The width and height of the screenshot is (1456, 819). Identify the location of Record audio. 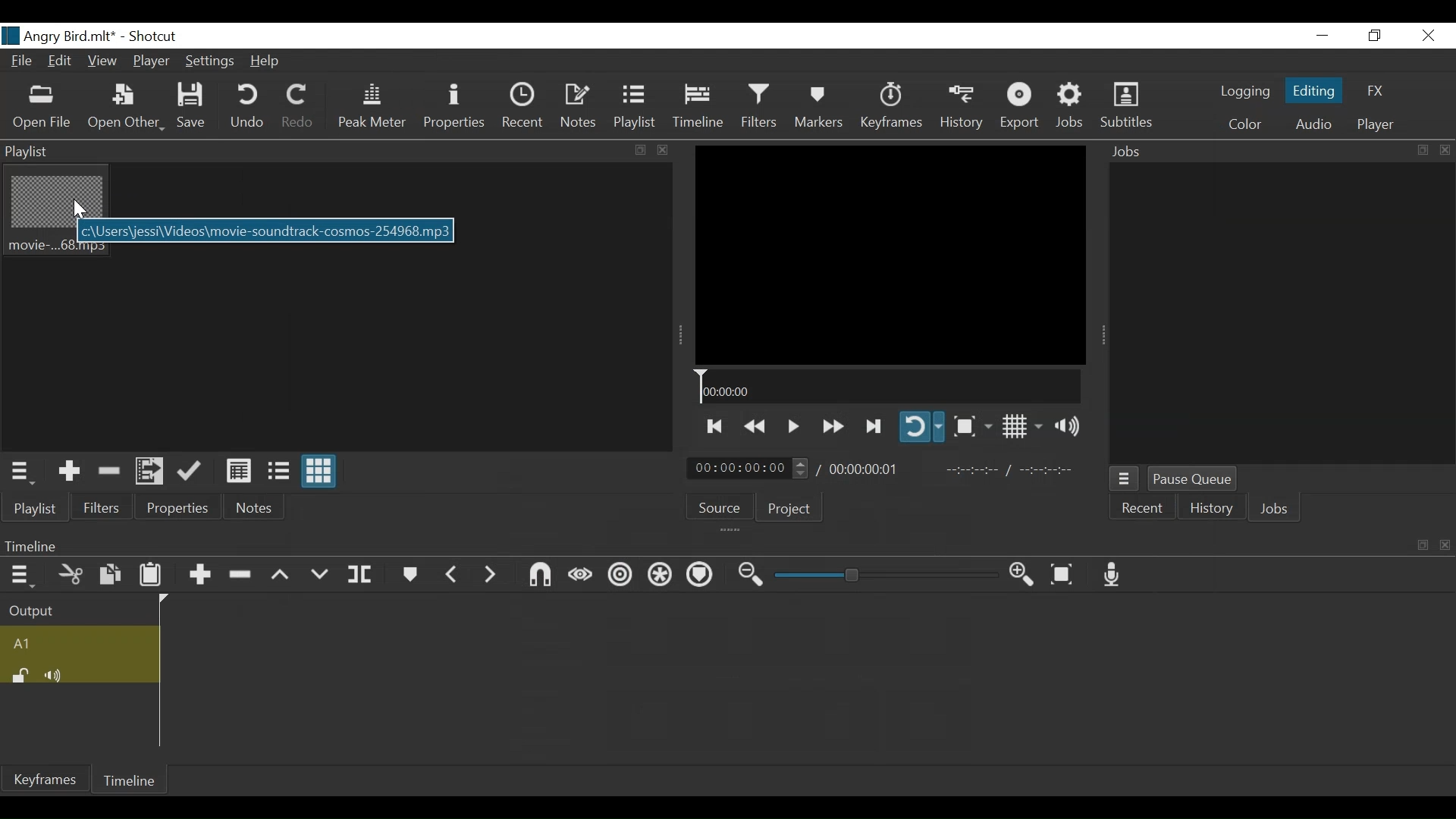
(1114, 576).